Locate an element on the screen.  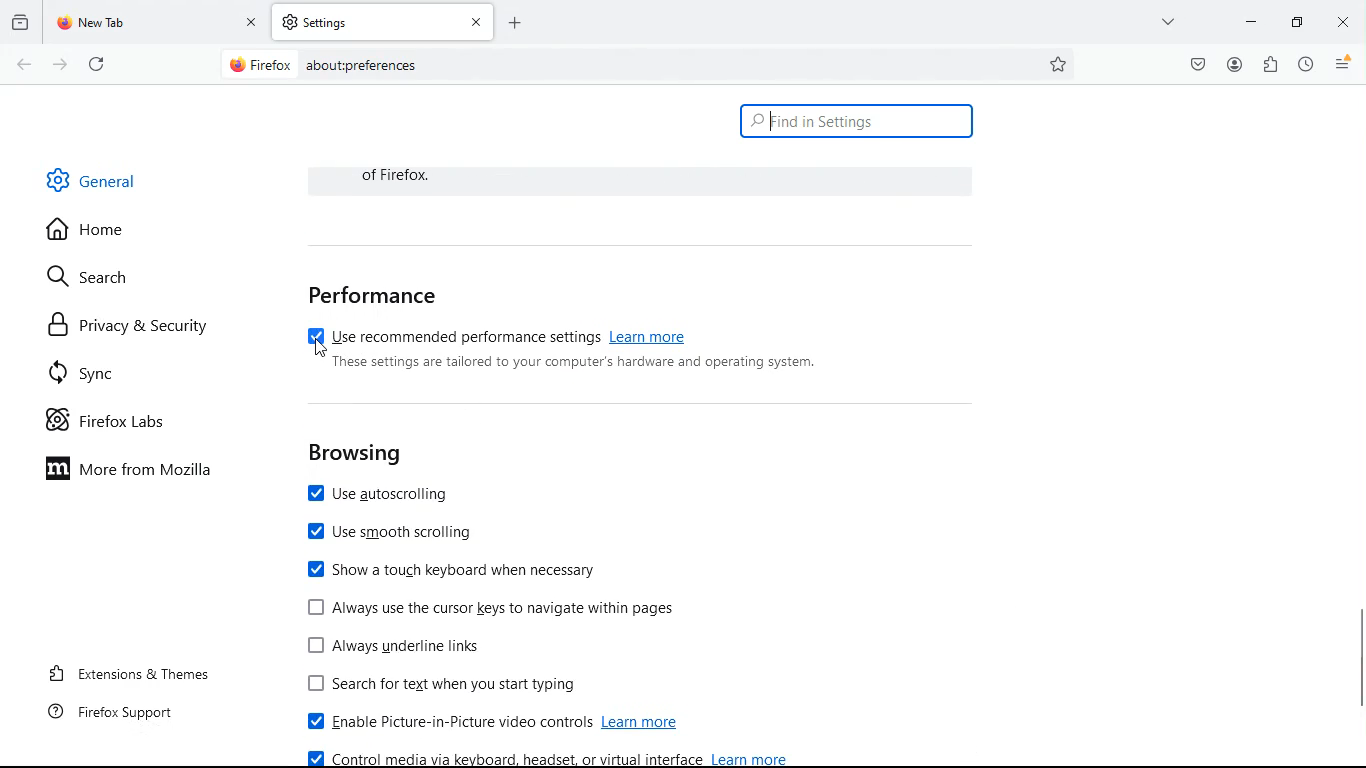
privacy & security is located at coordinates (130, 325).